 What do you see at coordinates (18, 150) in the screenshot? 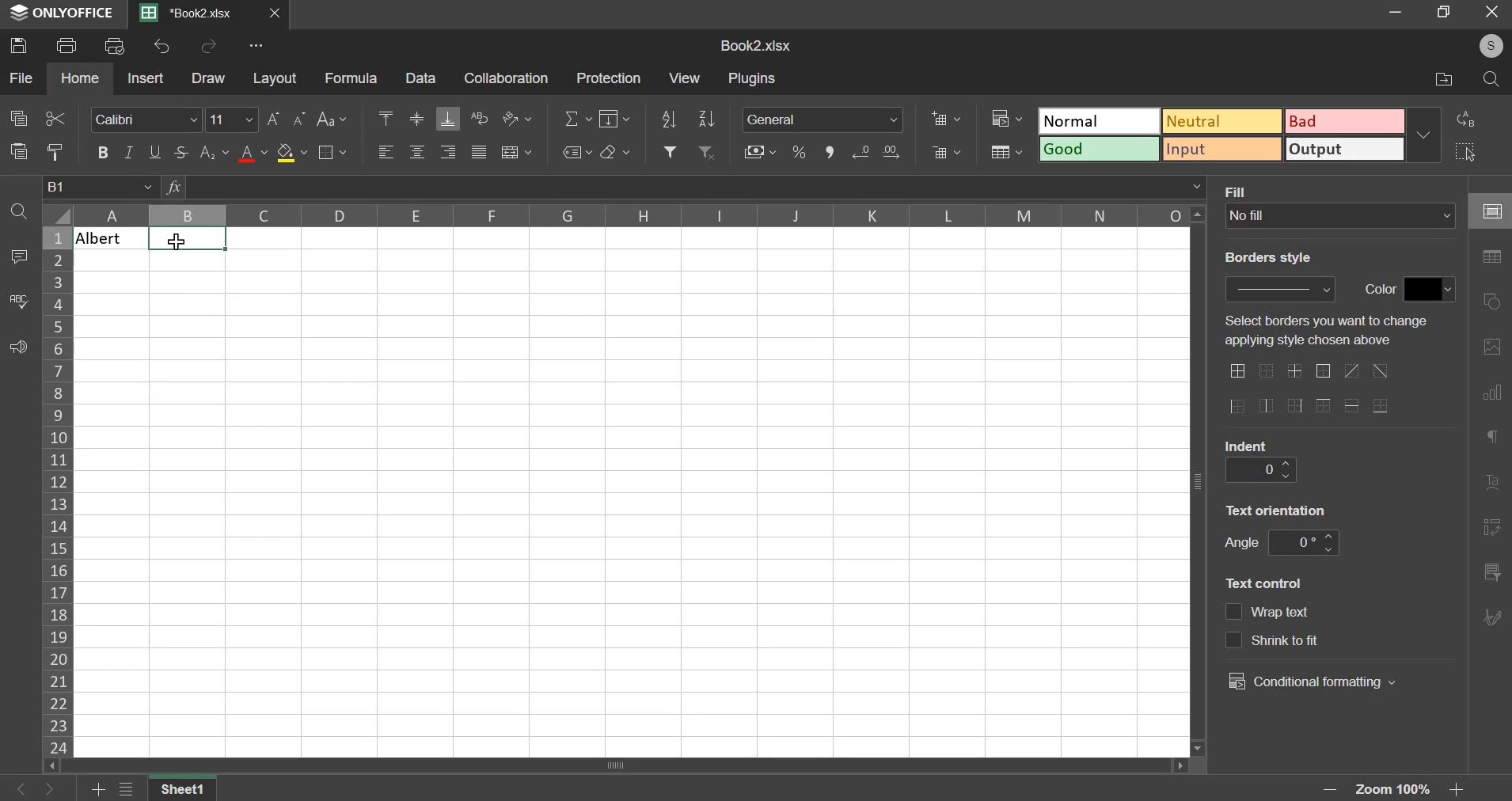
I see `paste` at bounding box center [18, 150].